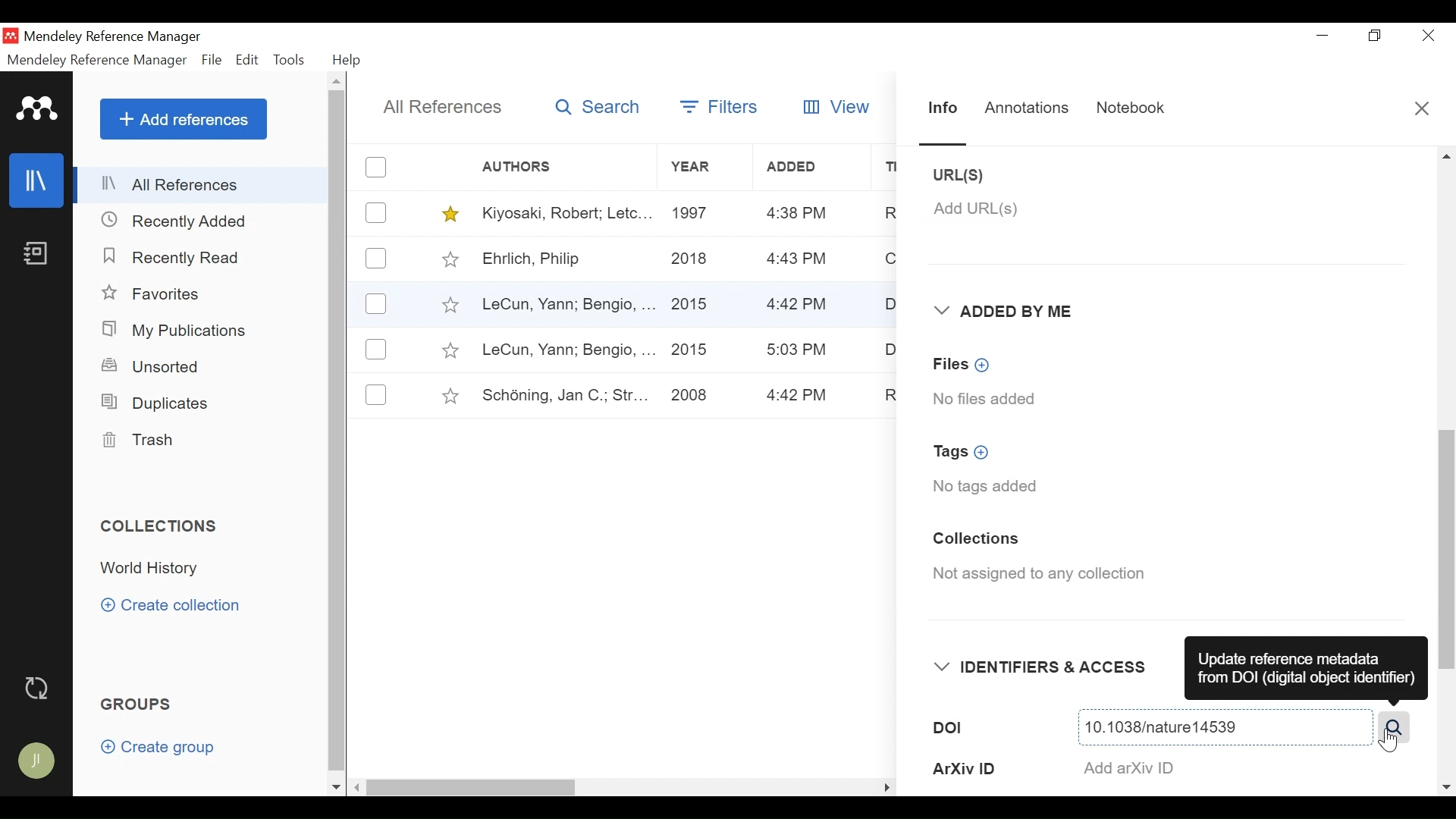  I want to click on Hide, so click(886, 784).